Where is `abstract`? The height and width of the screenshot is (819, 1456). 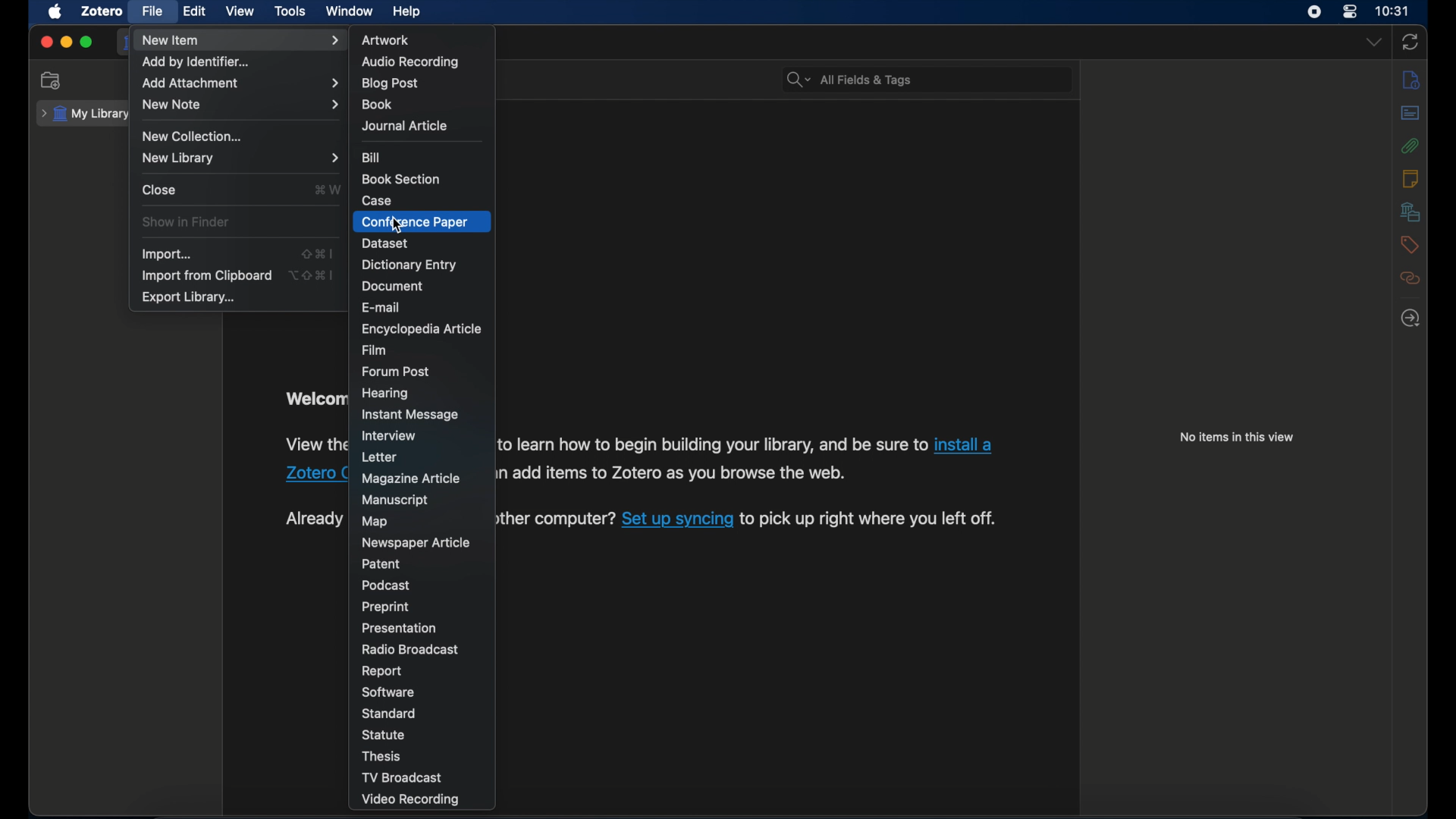 abstract is located at coordinates (1410, 113).